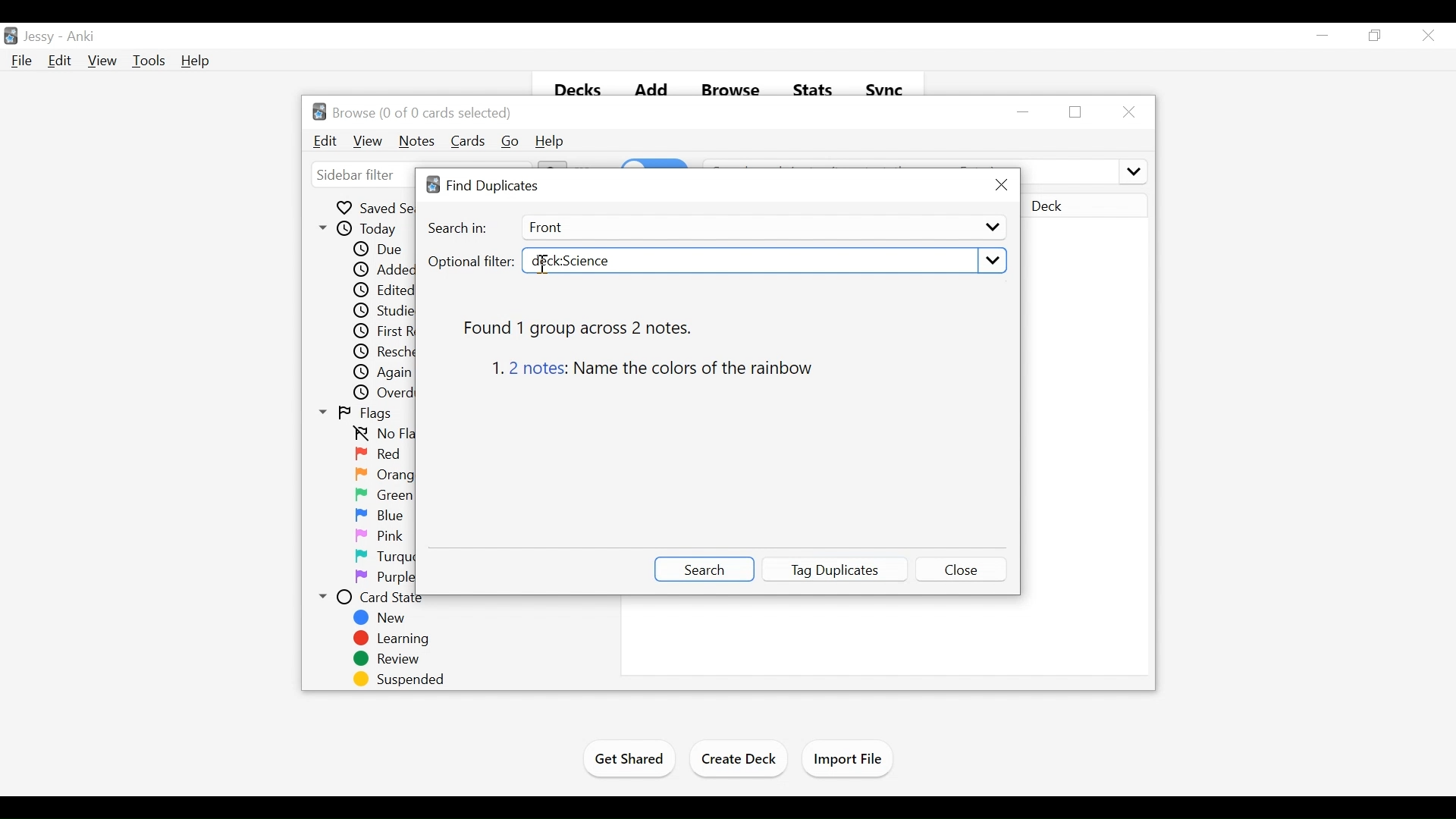 This screenshot has width=1456, height=819. What do you see at coordinates (148, 61) in the screenshot?
I see `Tools` at bounding box center [148, 61].